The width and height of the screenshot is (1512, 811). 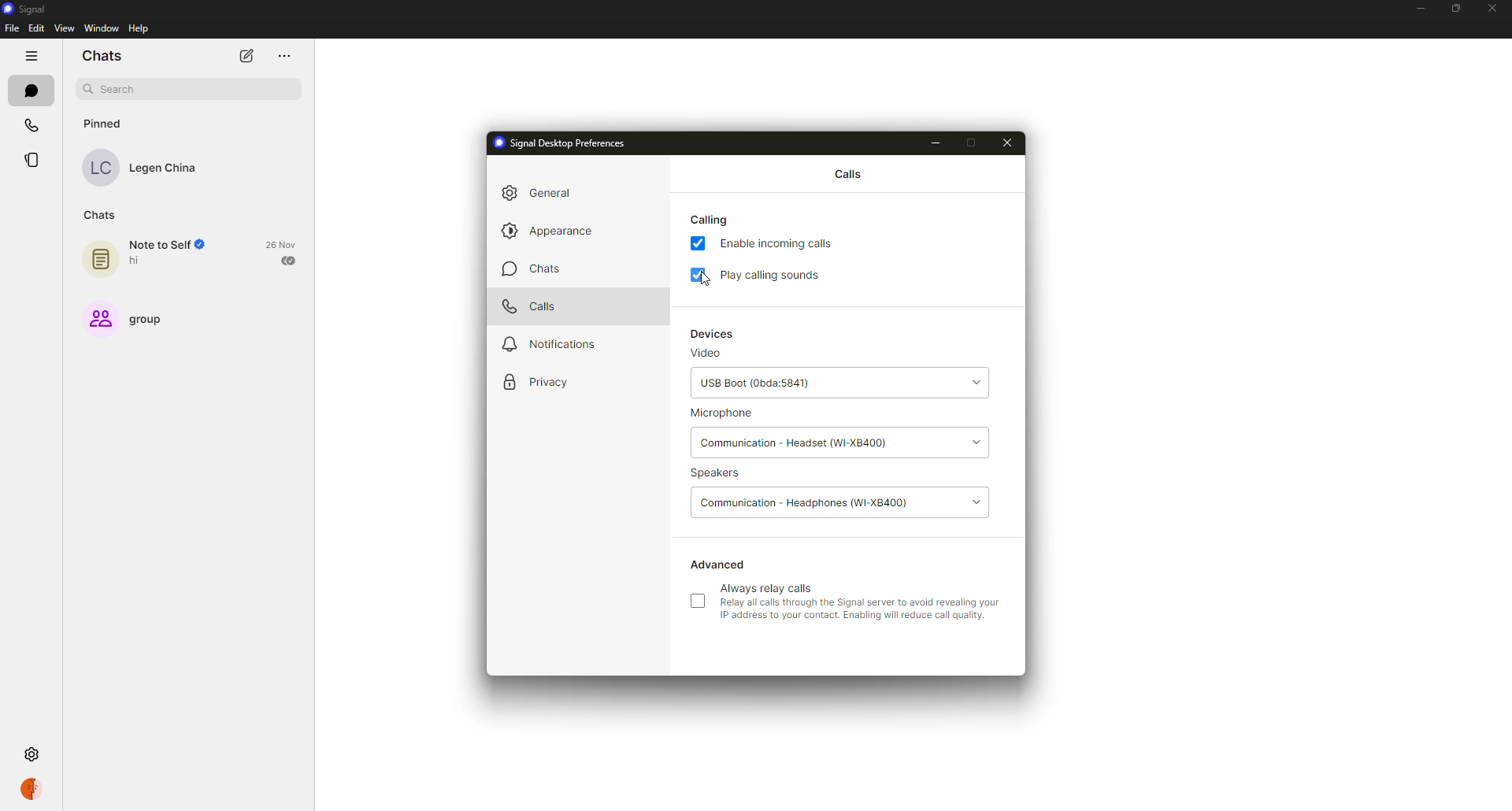 I want to click on group, so click(x=124, y=319).